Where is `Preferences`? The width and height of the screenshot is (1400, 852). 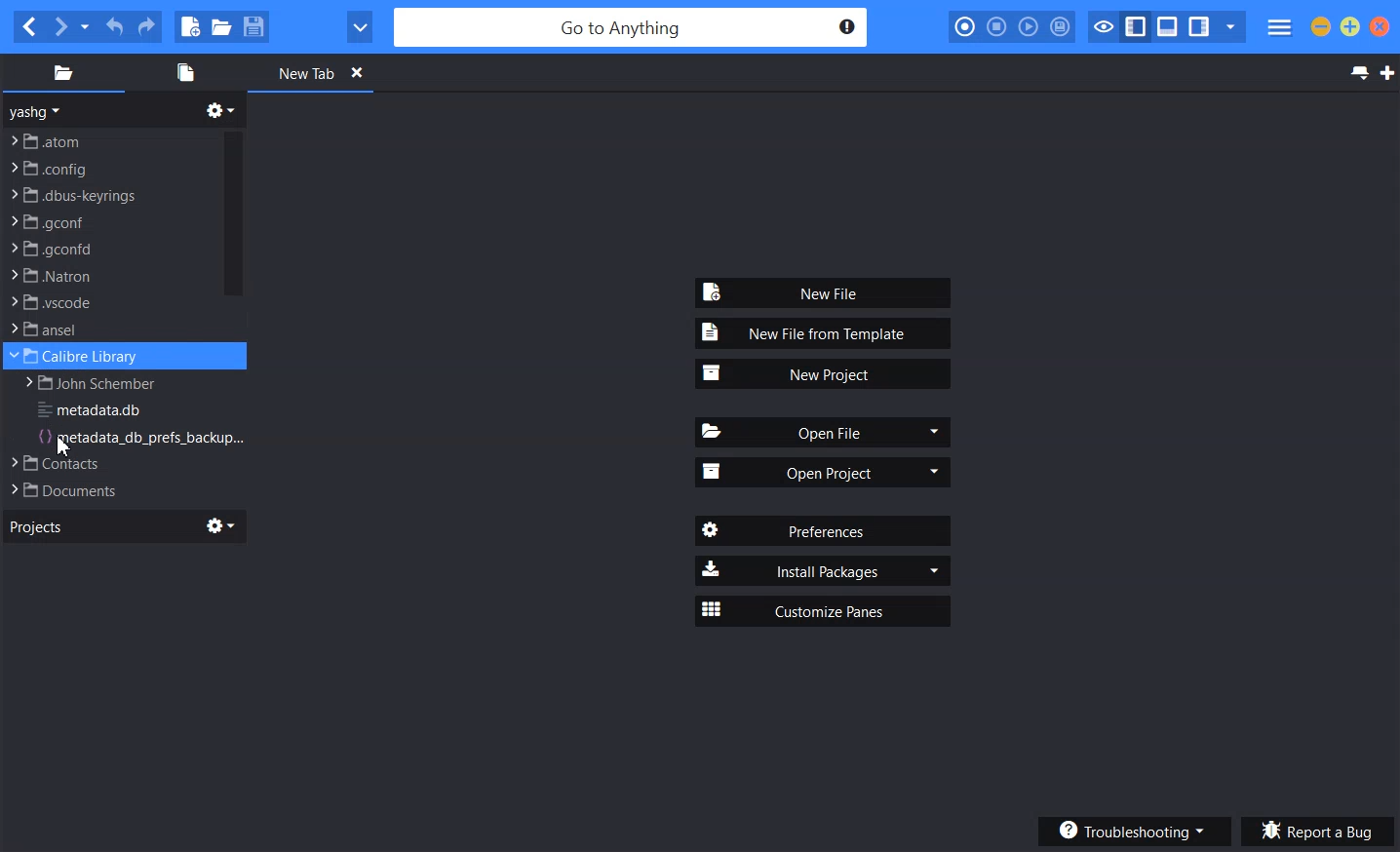
Preferences is located at coordinates (821, 530).